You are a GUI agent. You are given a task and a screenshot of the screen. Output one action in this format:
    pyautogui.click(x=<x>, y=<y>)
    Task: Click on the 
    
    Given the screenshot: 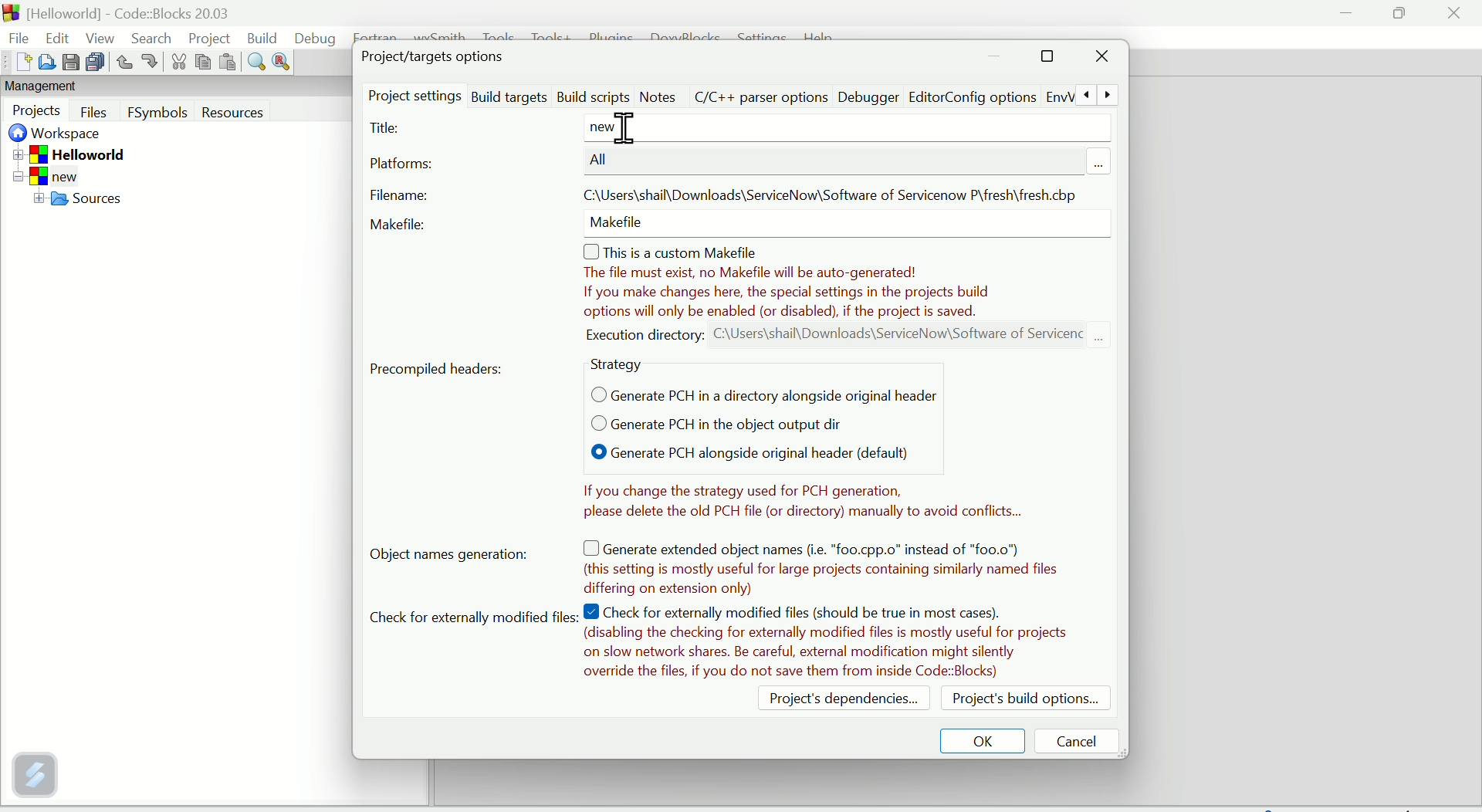 What is the action you would take?
    pyautogui.click(x=96, y=112)
    